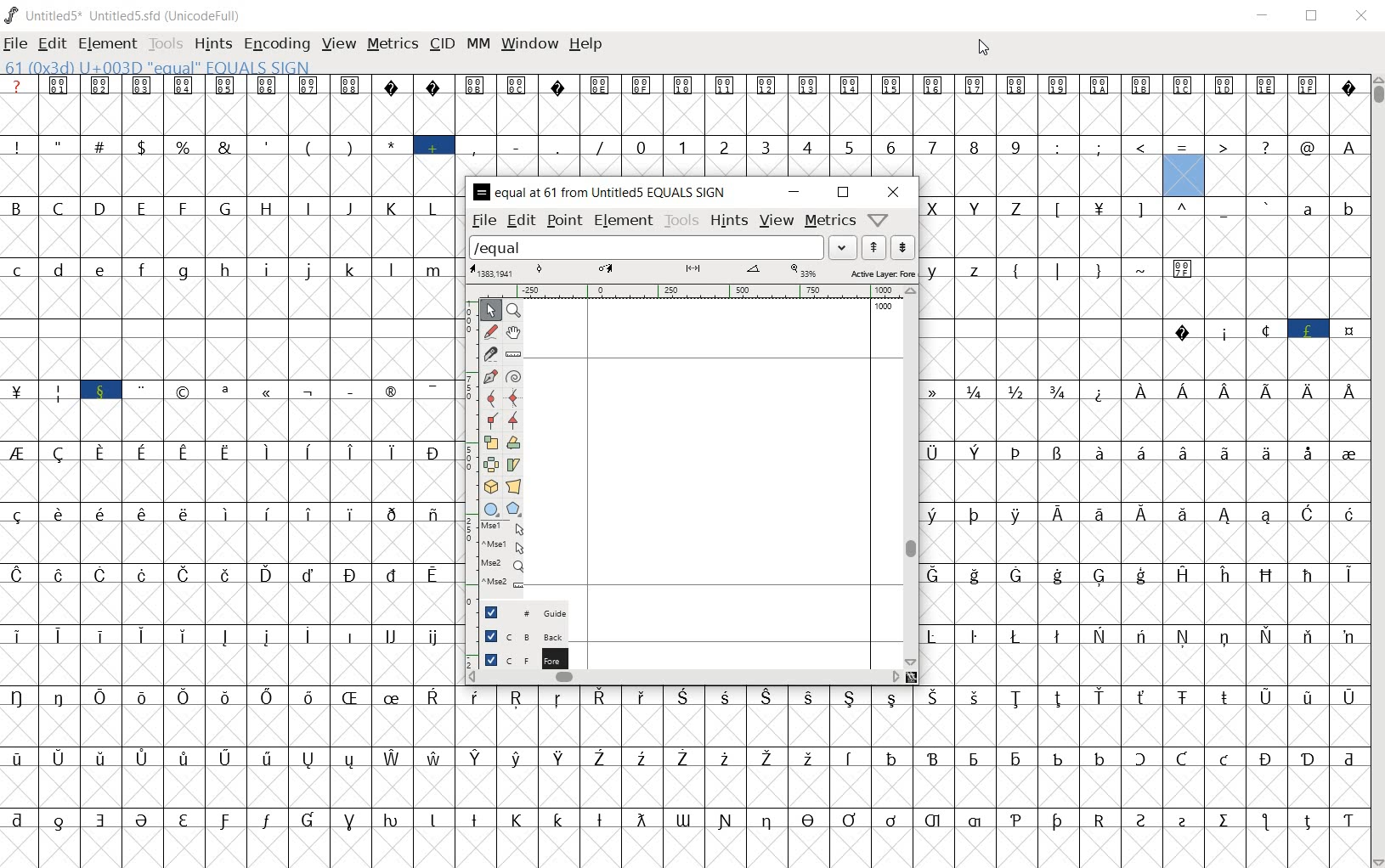 The width and height of the screenshot is (1385, 868). What do you see at coordinates (621, 220) in the screenshot?
I see `element` at bounding box center [621, 220].